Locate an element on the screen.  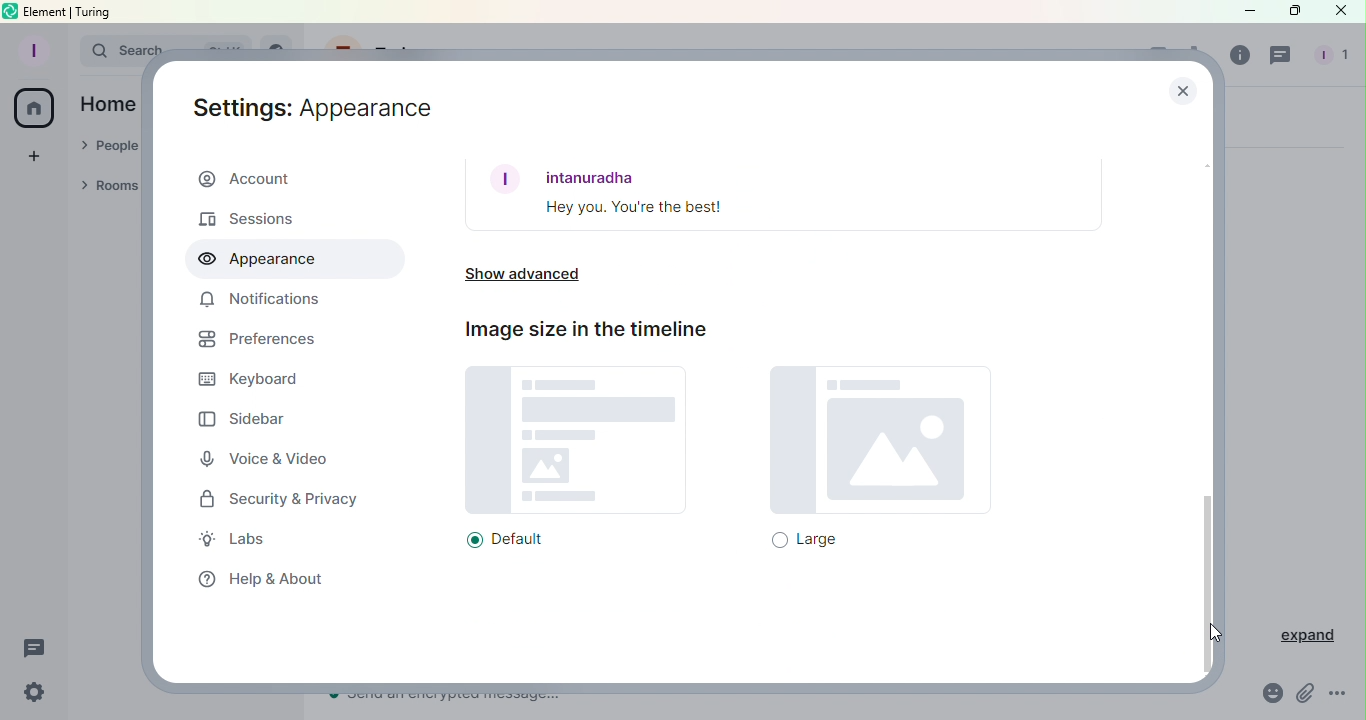
Minimize is located at coordinates (1247, 11).